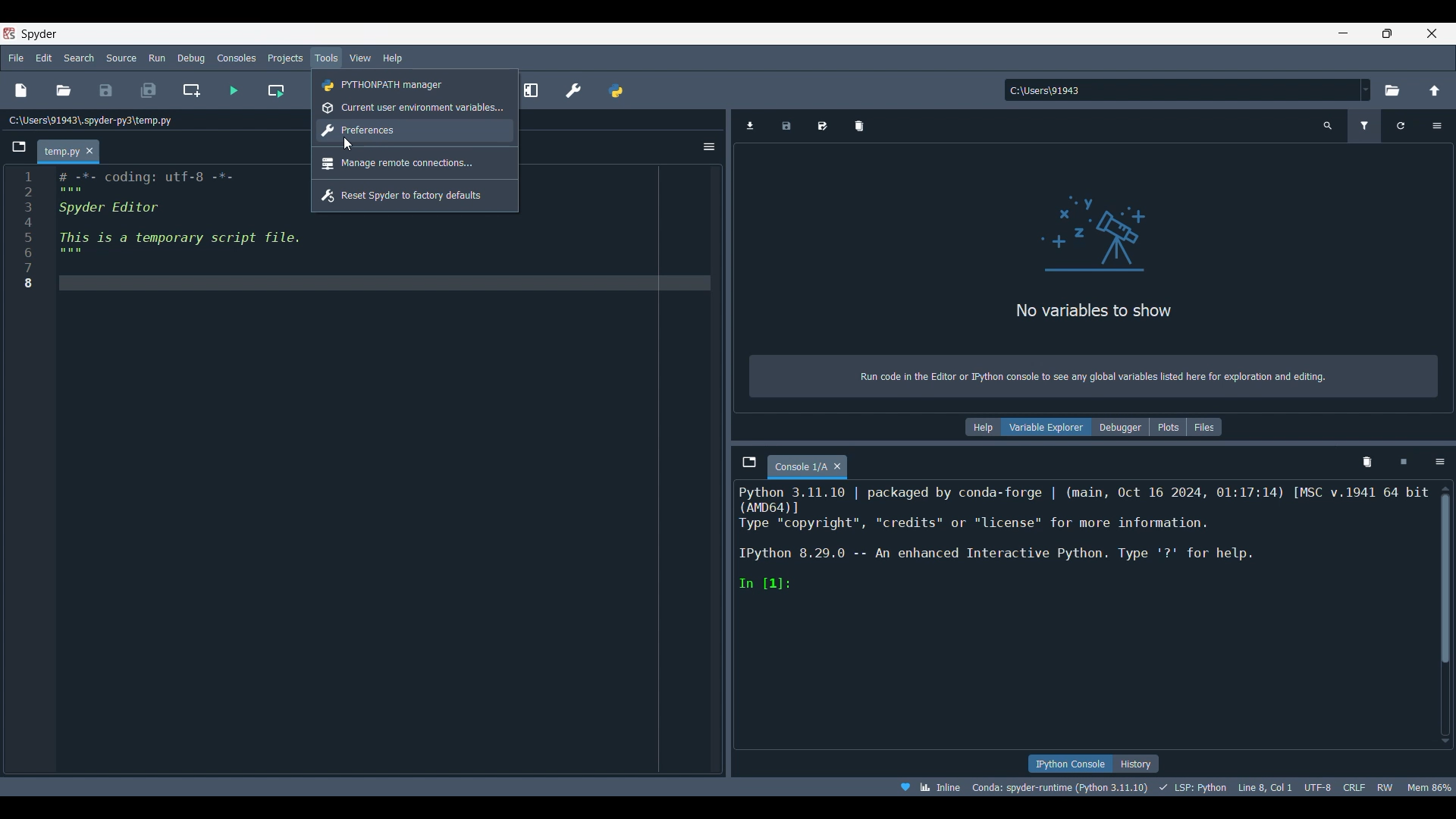 The image size is (1456, 819). I want to click on Reset Spyder to factory default, so click(415, 194).